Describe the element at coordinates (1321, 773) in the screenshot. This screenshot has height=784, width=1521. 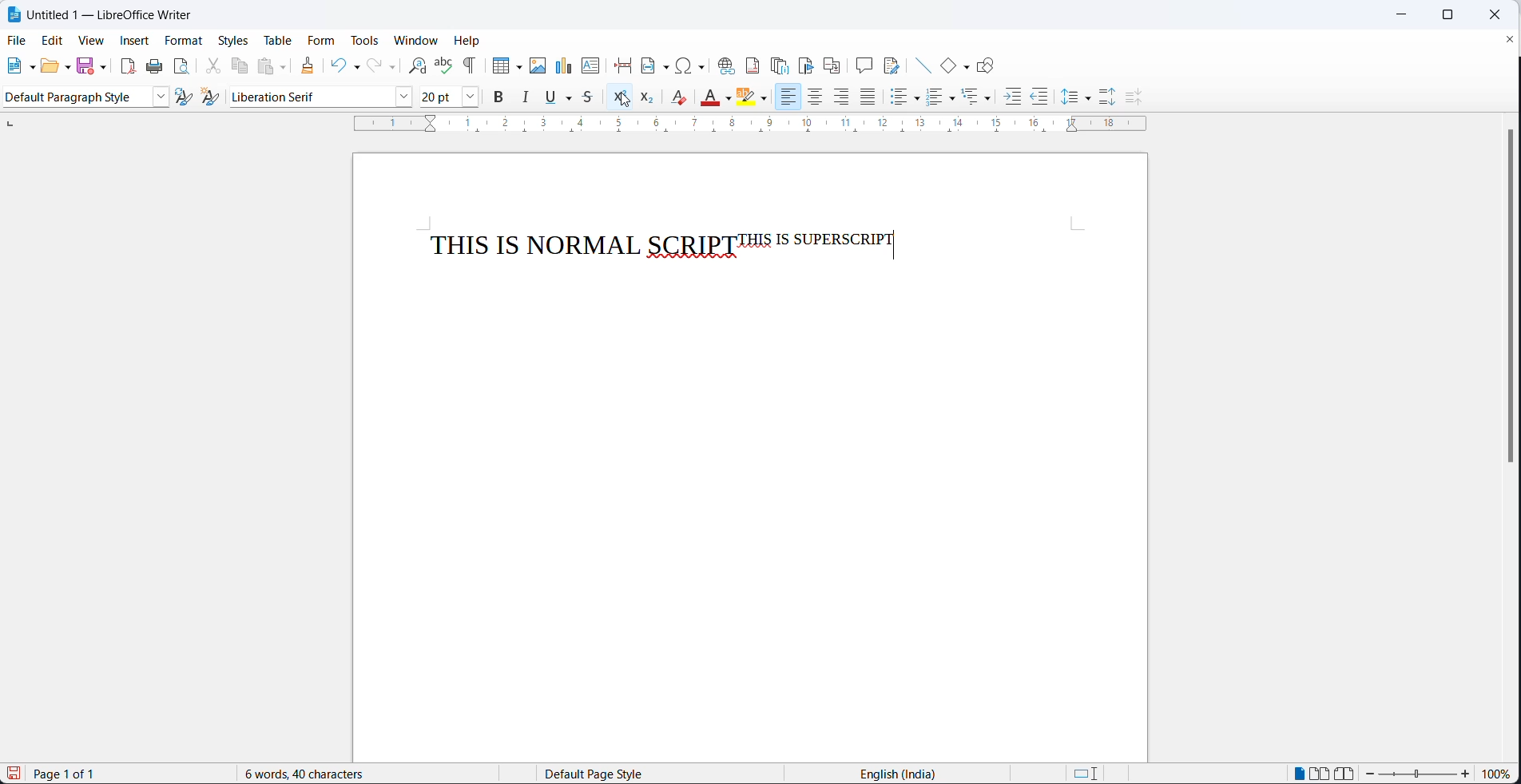
I see `multipage view` at that location.